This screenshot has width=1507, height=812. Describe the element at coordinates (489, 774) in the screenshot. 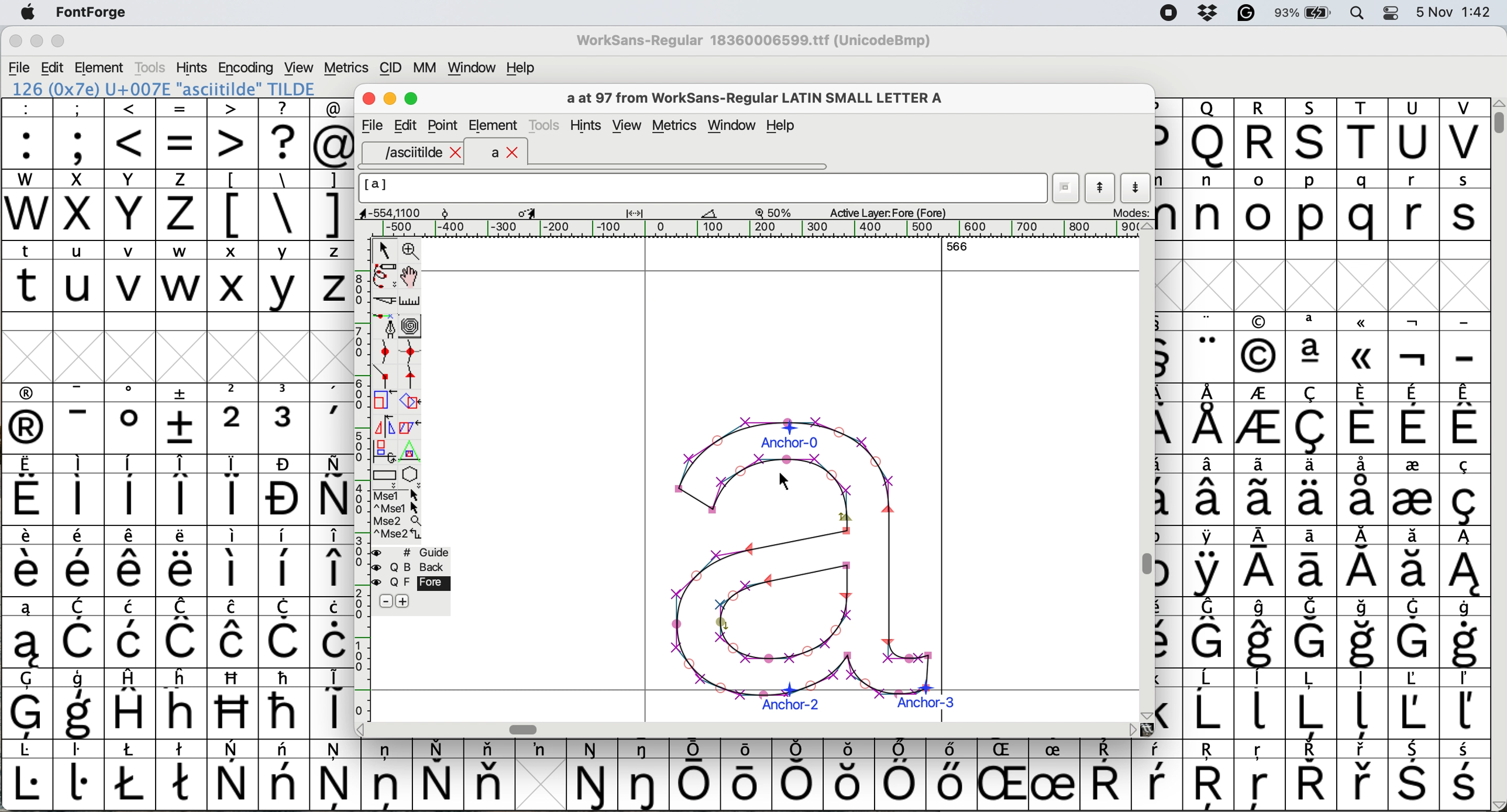

I see `symbol` at that location.